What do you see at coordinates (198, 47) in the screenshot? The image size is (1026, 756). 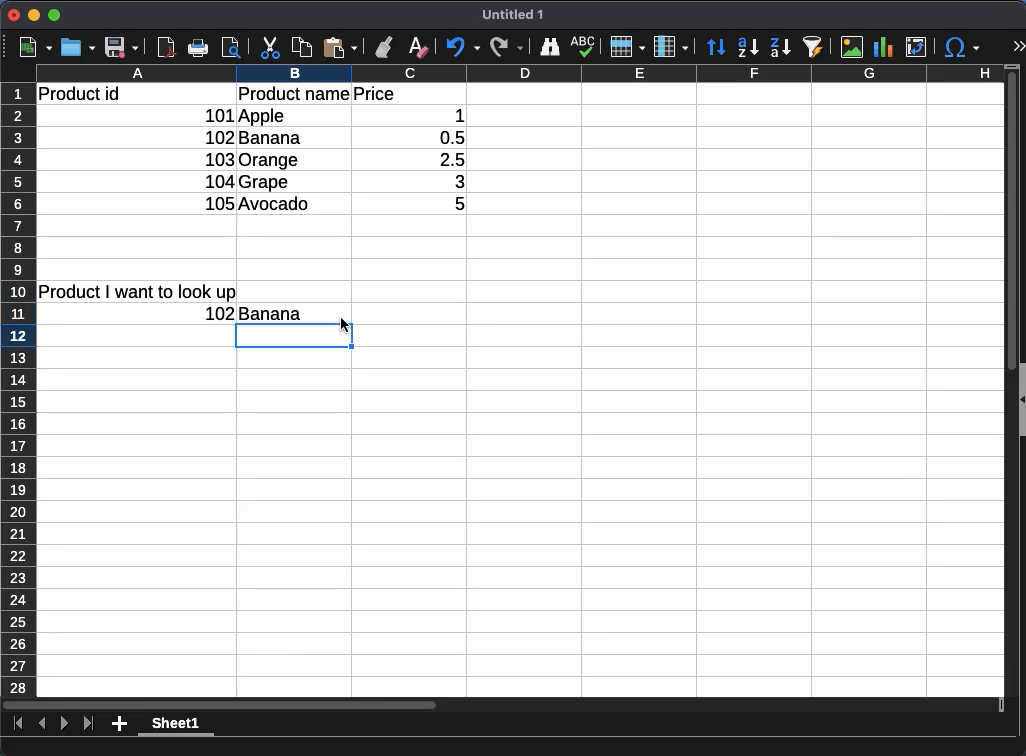 I see `print` at bounding box center [198, 47].